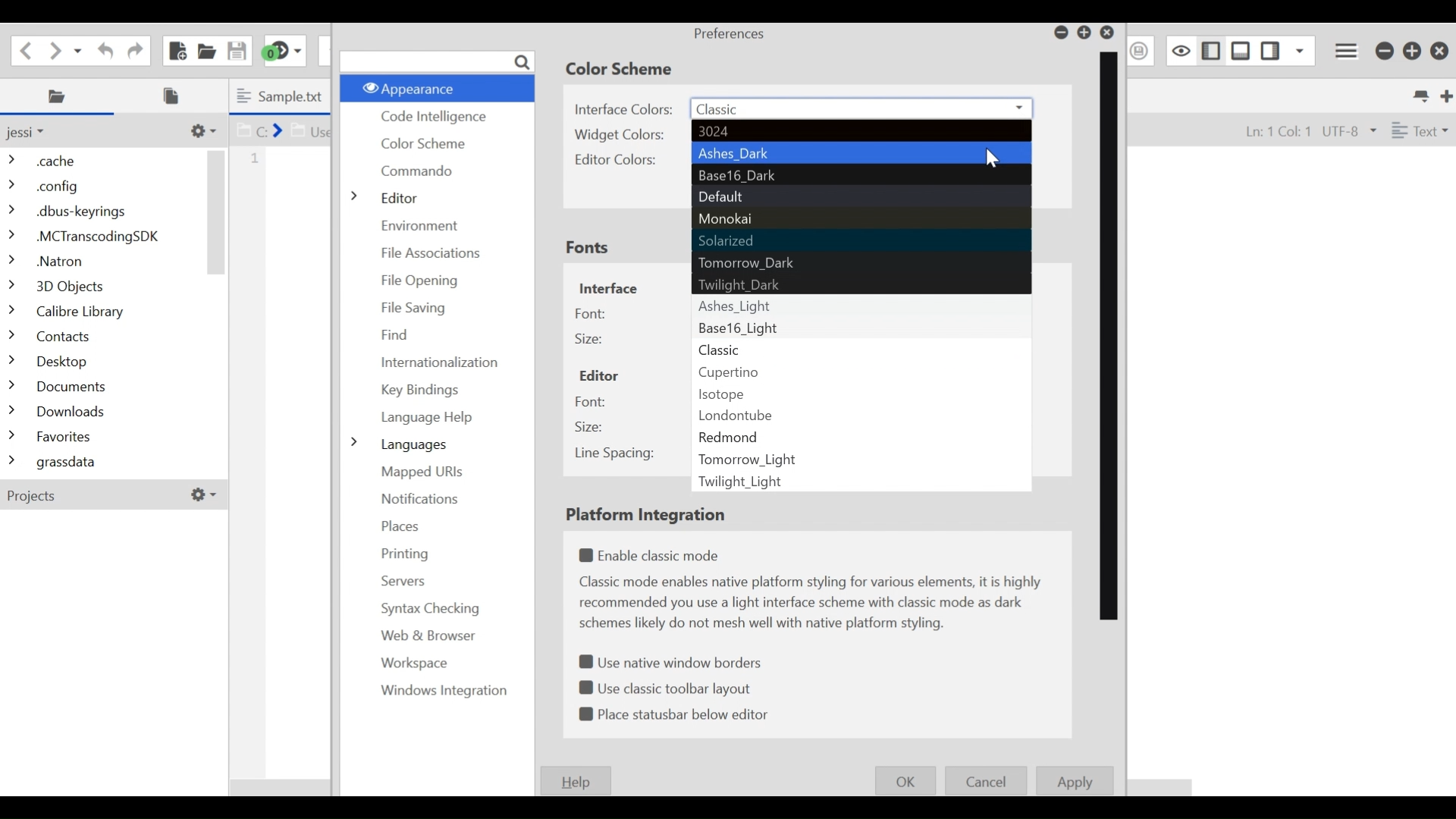 The image size is (1456, 819). I want to click on Show/Hide Bottom Pane, so click(1241, 50).